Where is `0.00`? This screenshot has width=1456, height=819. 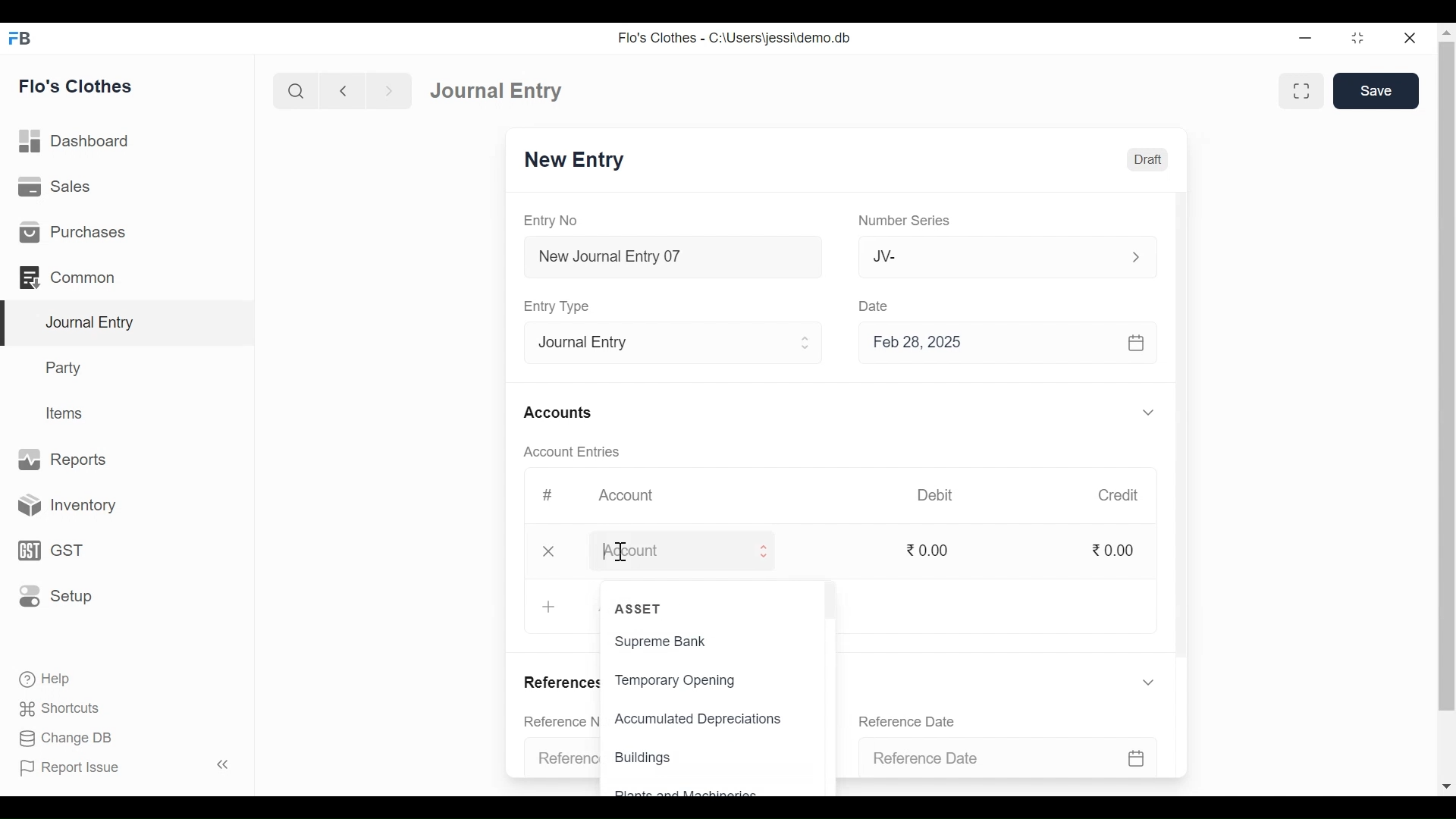
0.00 is located at coordinates (1120, 551).